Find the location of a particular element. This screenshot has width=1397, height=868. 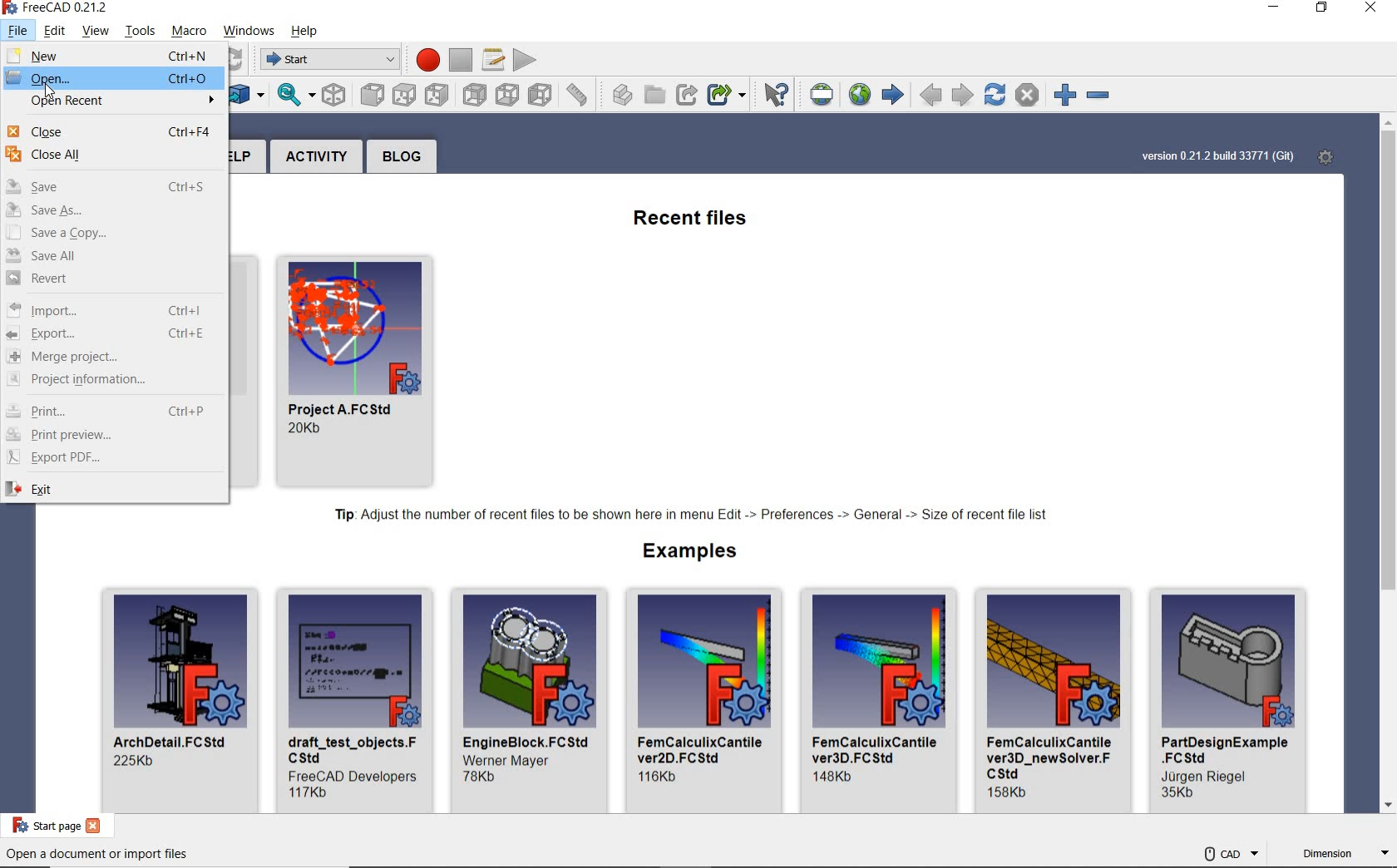

name is located at coordinates (527, 740).